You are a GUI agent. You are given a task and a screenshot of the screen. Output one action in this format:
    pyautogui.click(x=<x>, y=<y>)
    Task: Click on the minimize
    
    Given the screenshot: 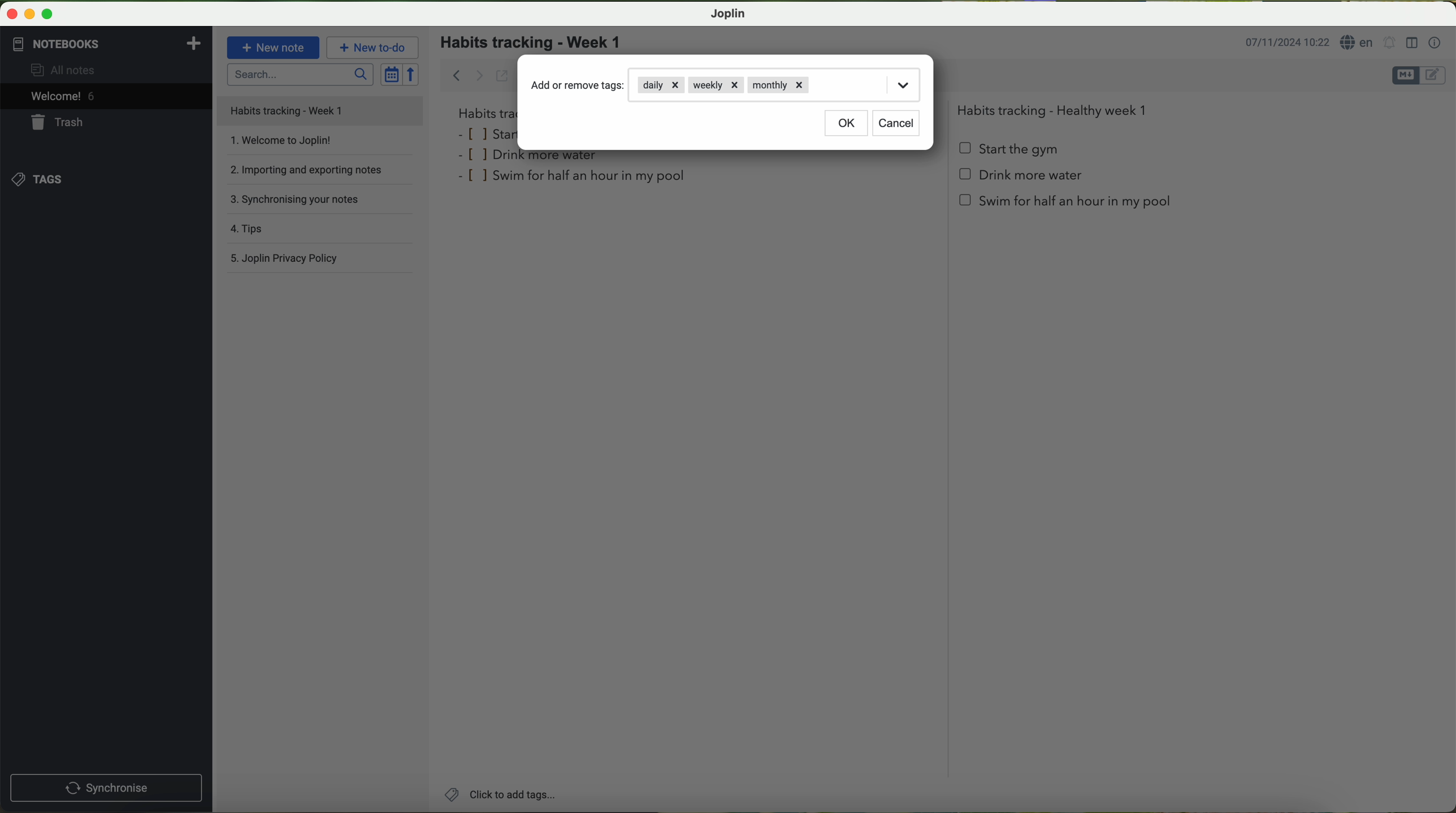 What is the action you would take?
    pyautogui.click(x=27, y=13)
    